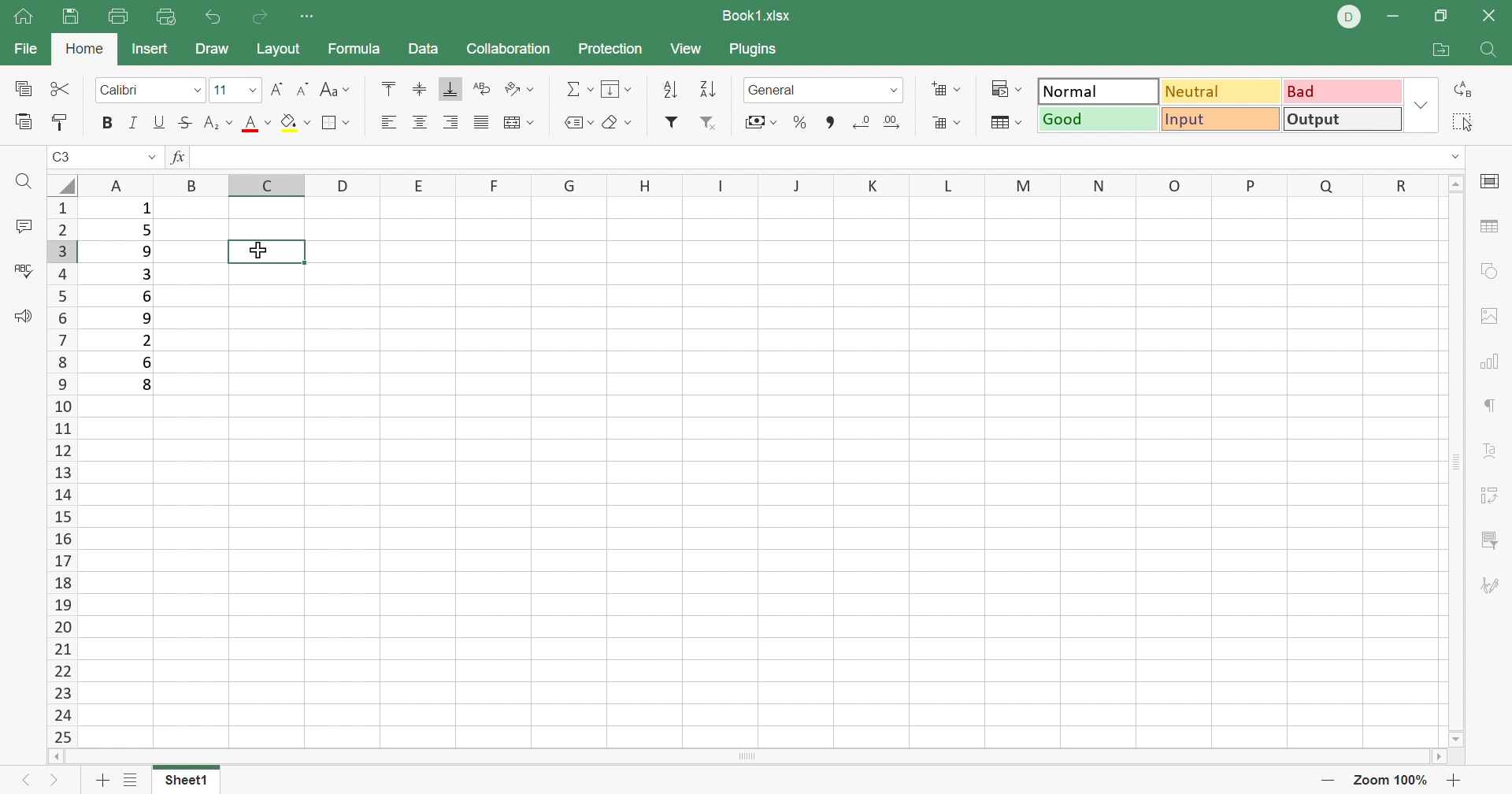 The width and height of the screenshot is (1512, 794). What do you see at coordinates (577, 124) in the screenshot?
I see `Named ranges` at bounding box center [577, 124].